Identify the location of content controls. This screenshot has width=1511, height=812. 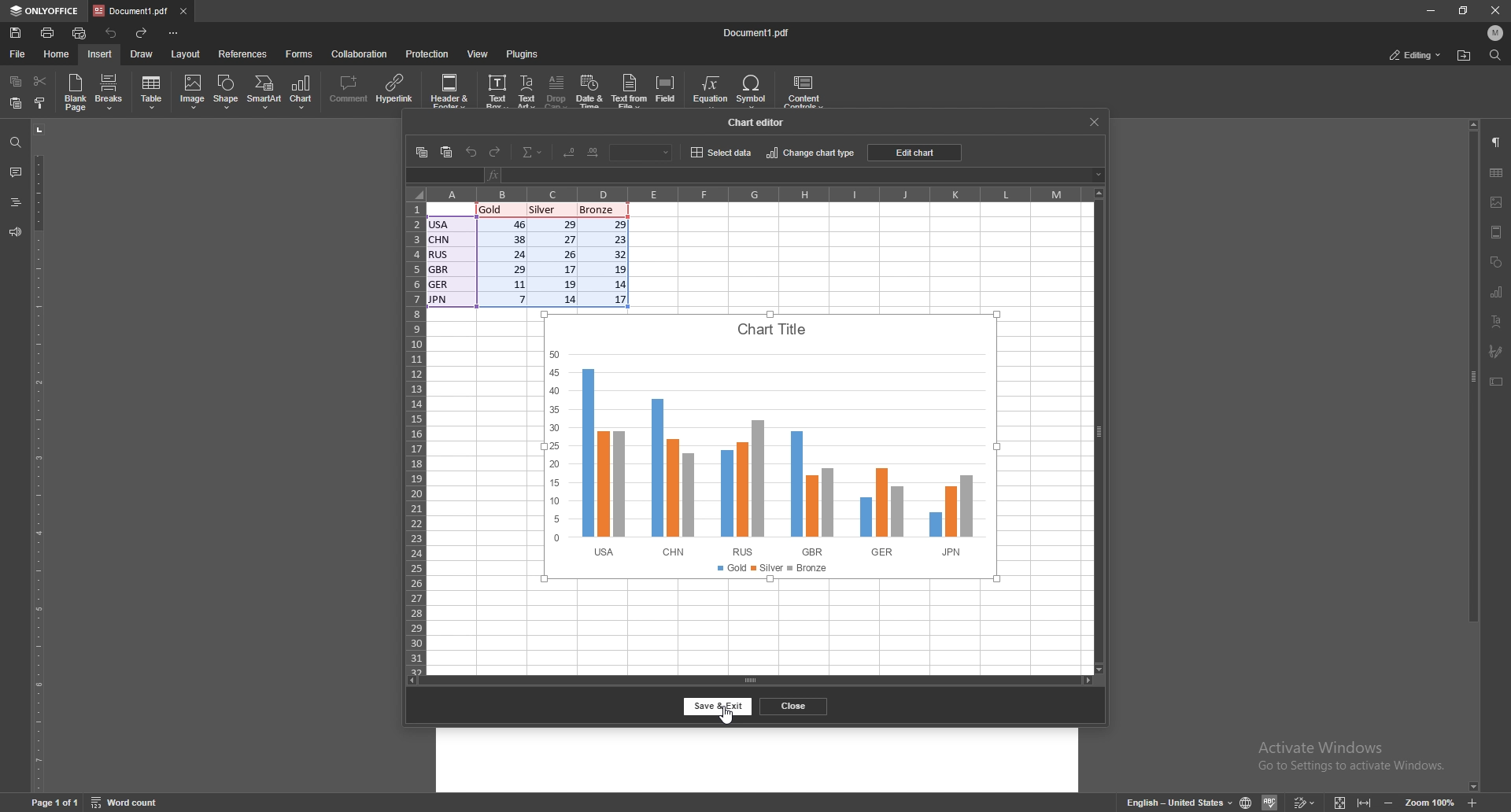
(806, 92).